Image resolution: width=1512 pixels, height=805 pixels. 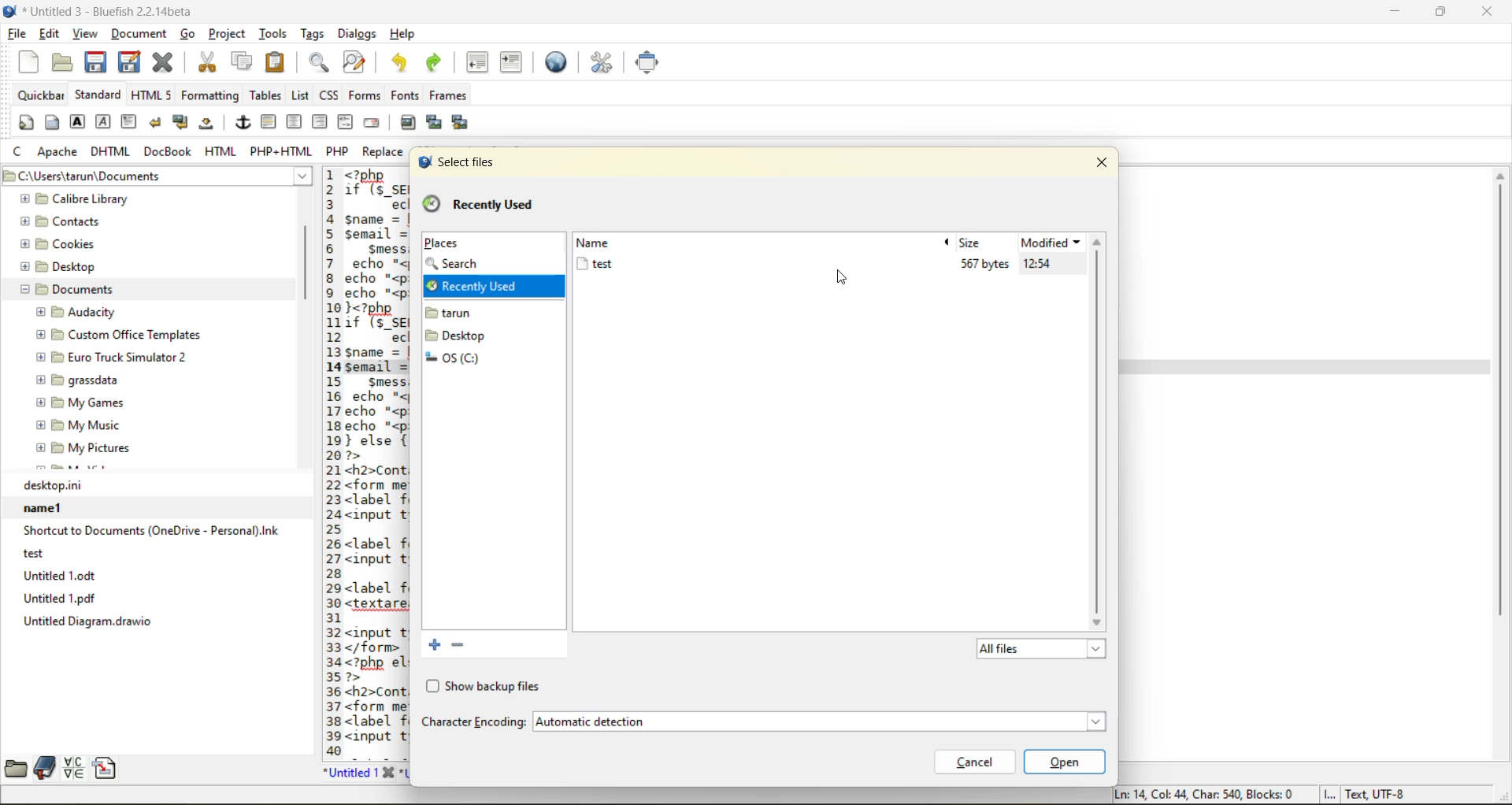 I want to click on apache, so click(x=59, y=153).